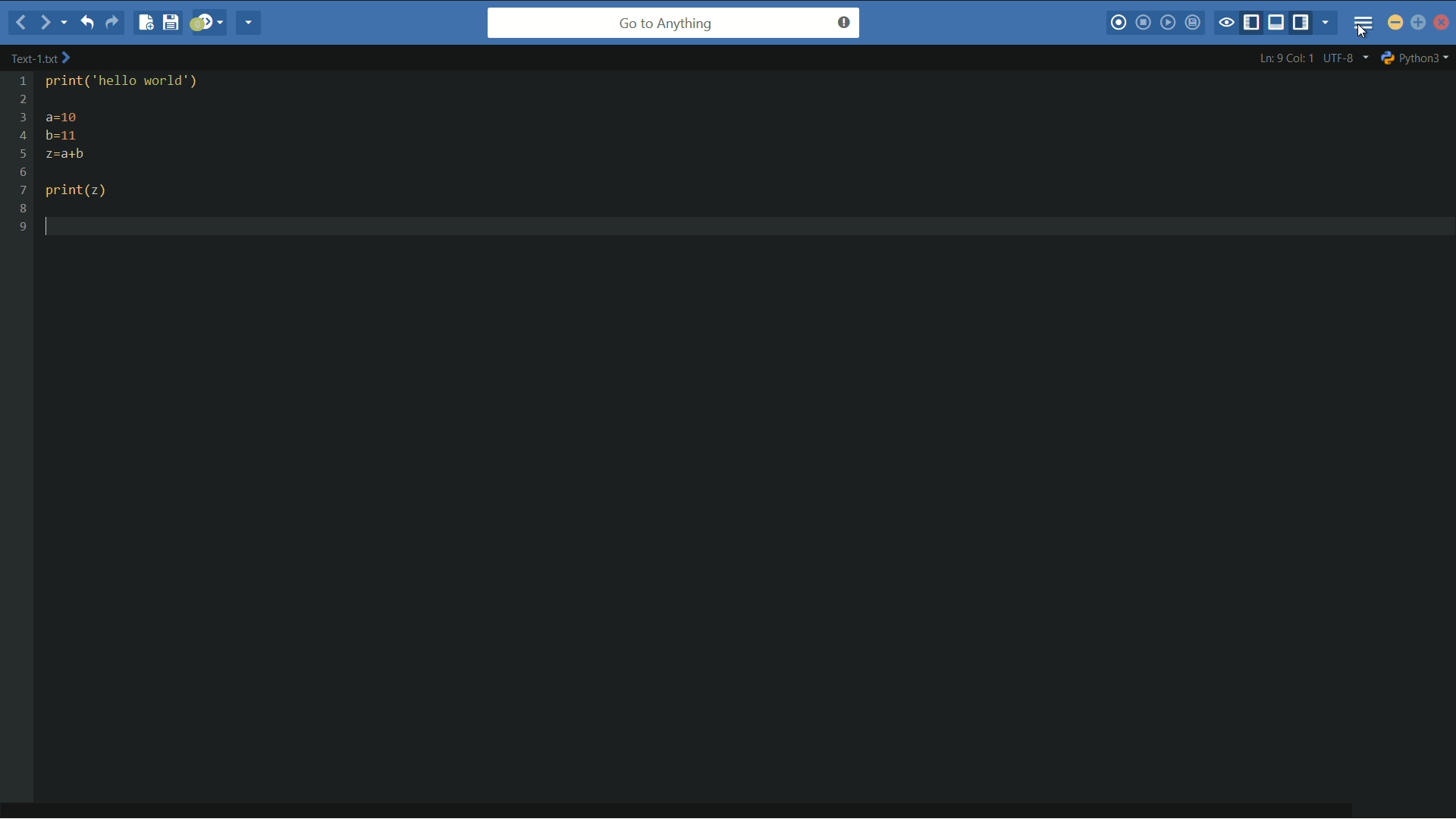  What do you see at coordinates (148, 139) in the screenshot?
I see `print( ‘hello world")
a=10

b=11

z=a+b

print(z)` at bounding box center [148, 139].